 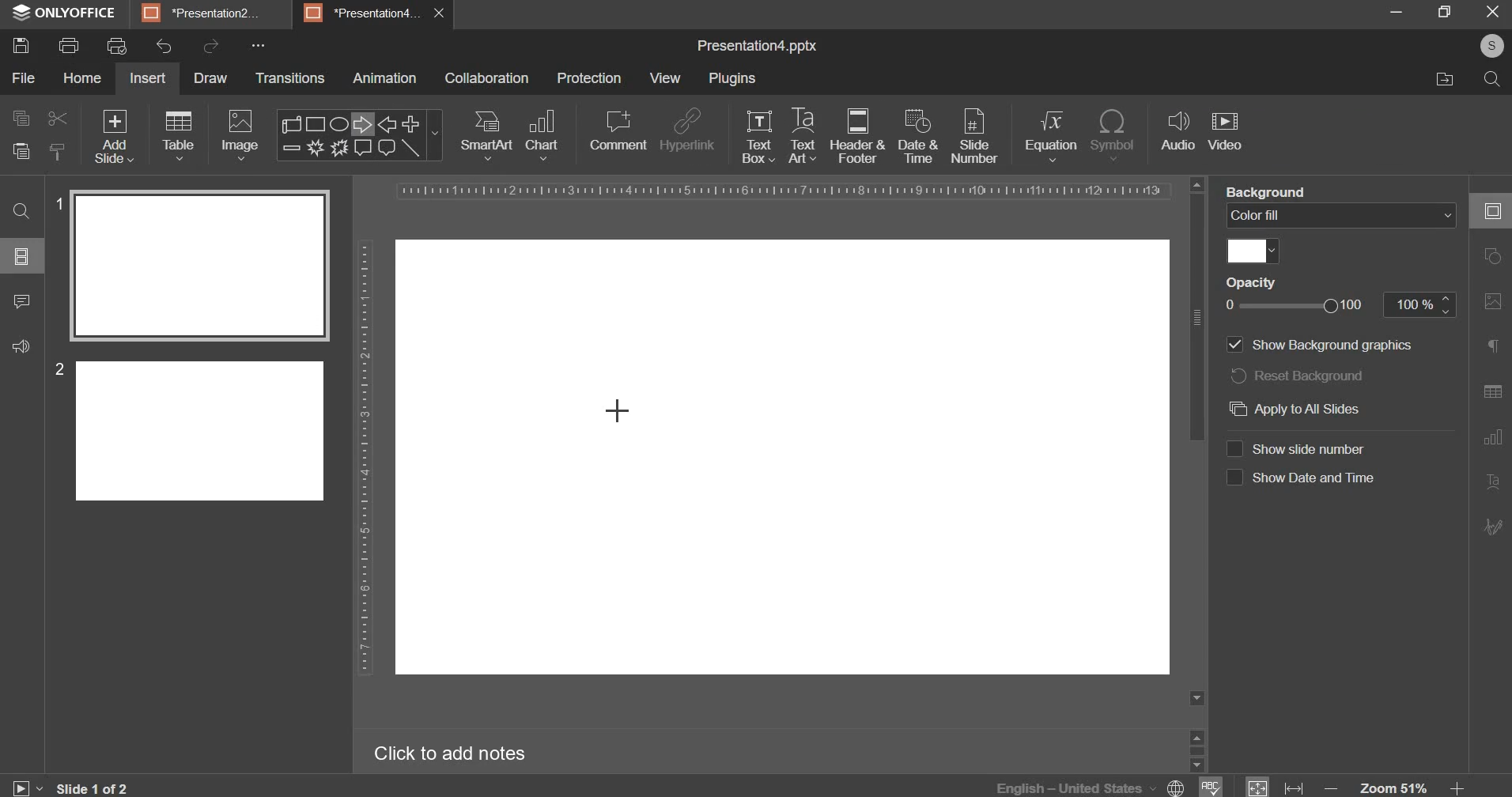 What do you see at coordinates (757, 47) in the screenshot?
I see `presentation name` at bounding box center [757, 47].